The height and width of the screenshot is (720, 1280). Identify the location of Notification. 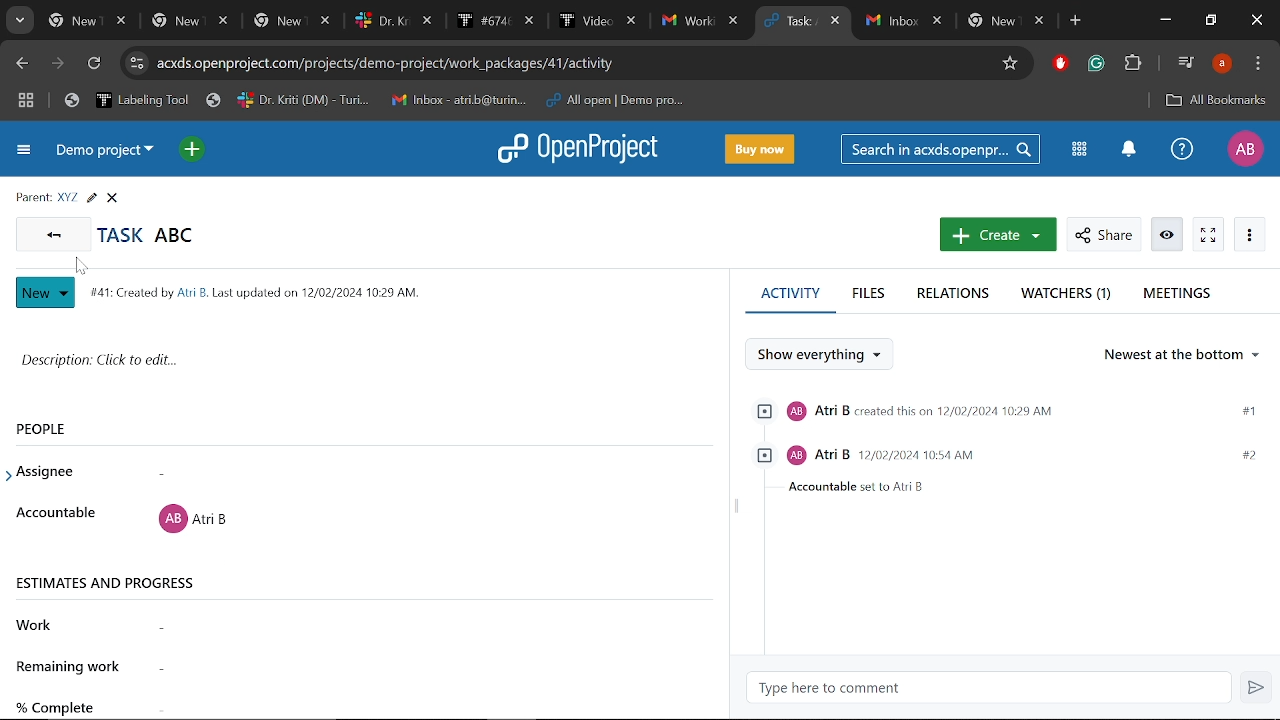
(1132, 151).